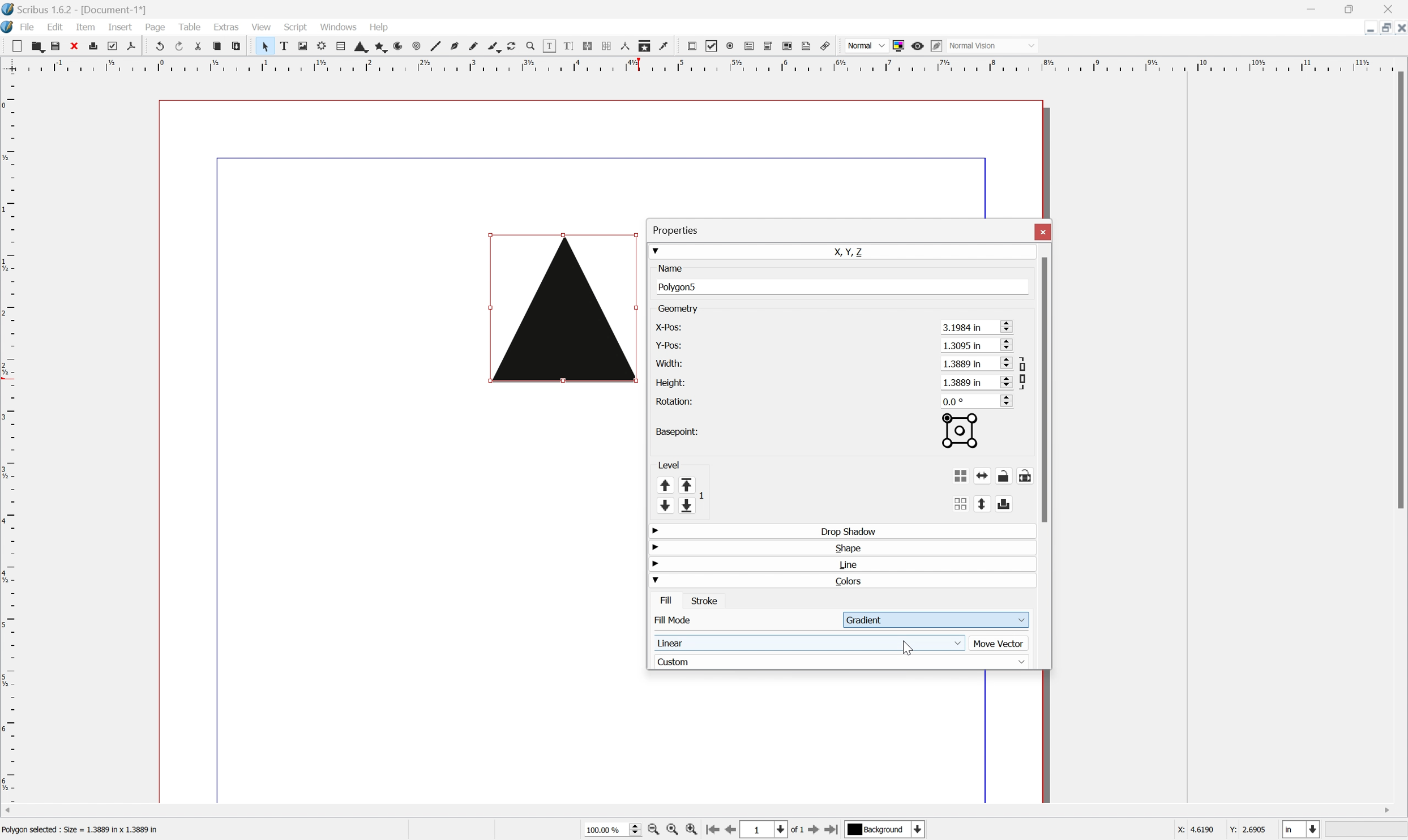  What do you see at coordinates (917, 46) in the screenshot?
I see `Preview mode` at bounding box center [917, 46].